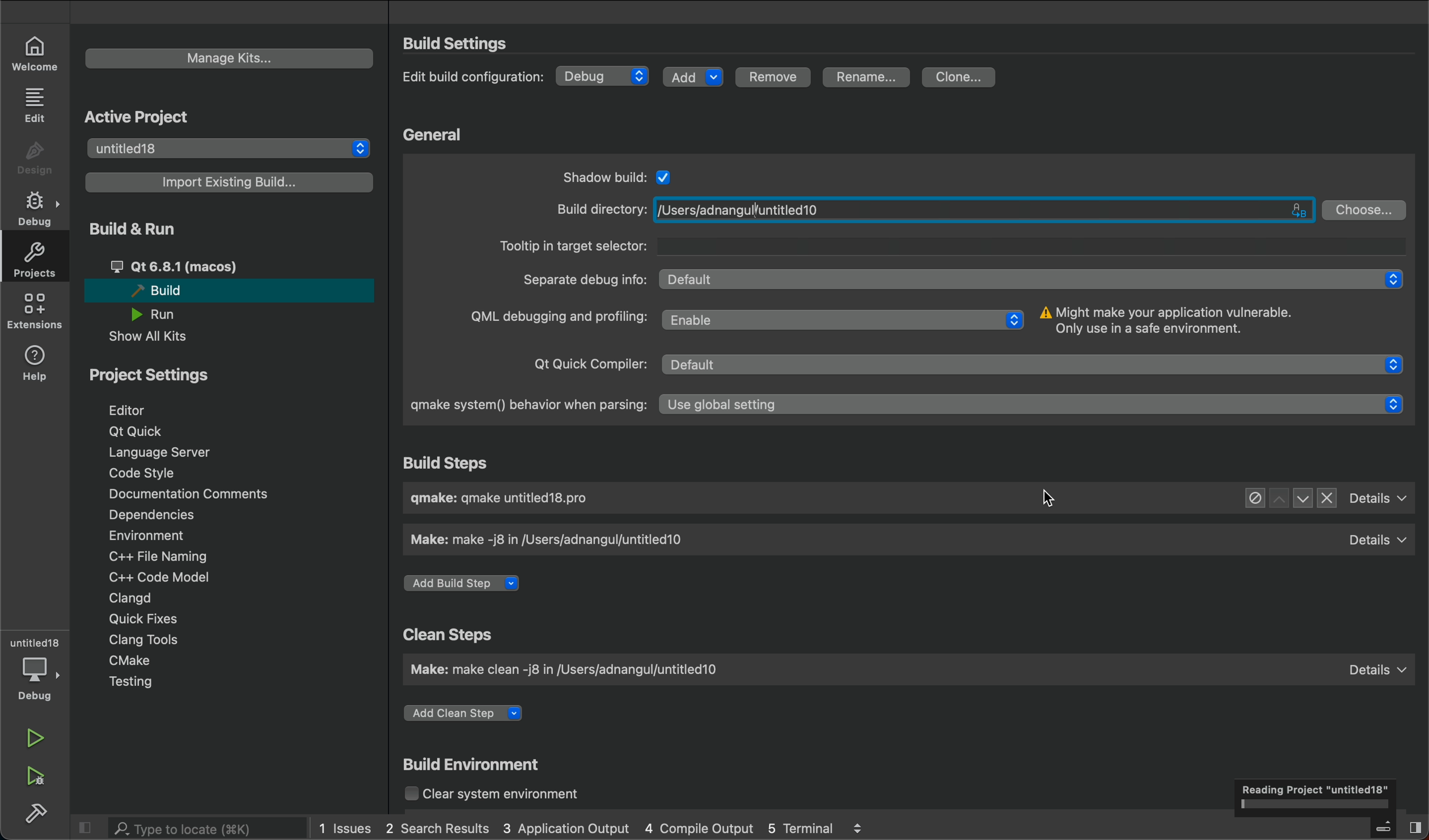  What do you see at coordinates (472, 77) in the screenshot?
I see `Edit build configuration:` at bounding box center [472, 77].